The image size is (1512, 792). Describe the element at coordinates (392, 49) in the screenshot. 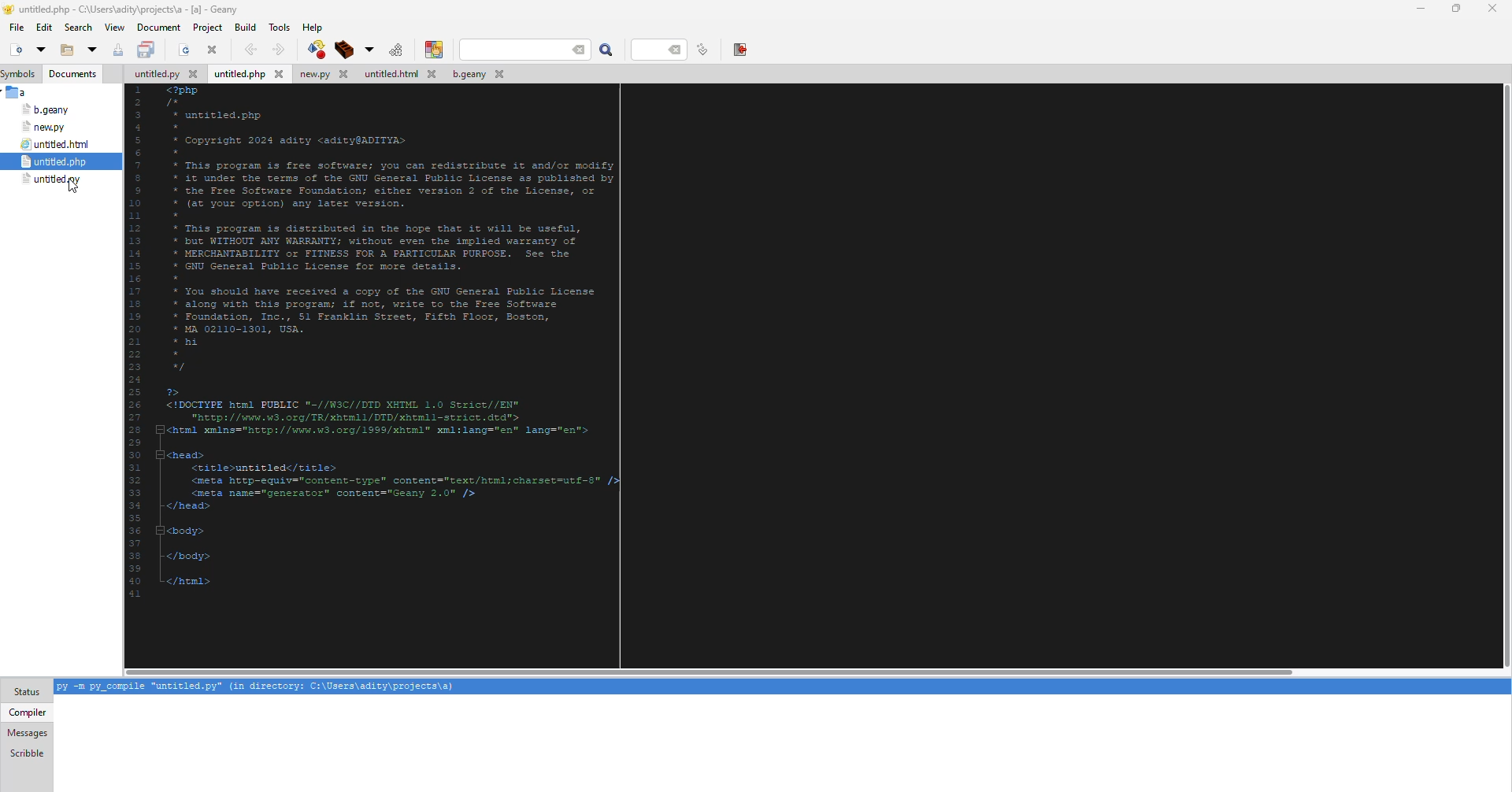

I see `run` at that location.